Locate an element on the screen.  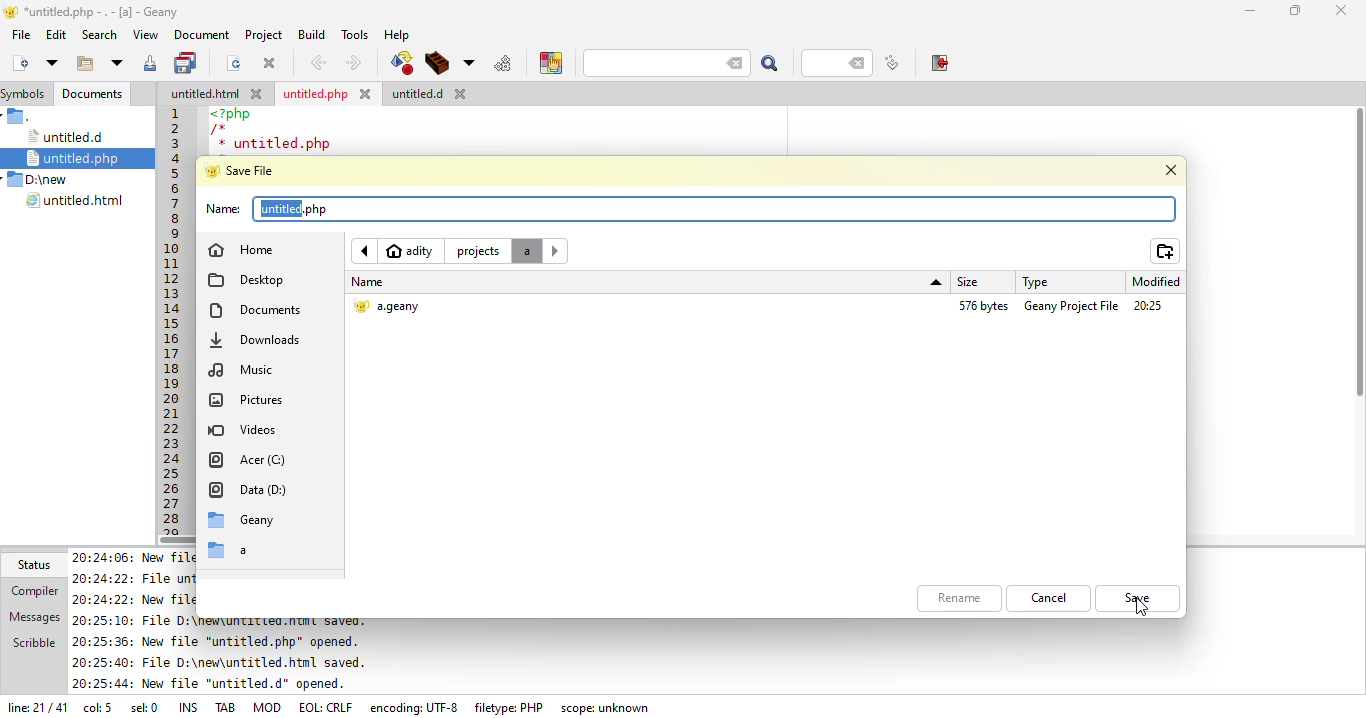
projects is located at coordinates (477, 252).